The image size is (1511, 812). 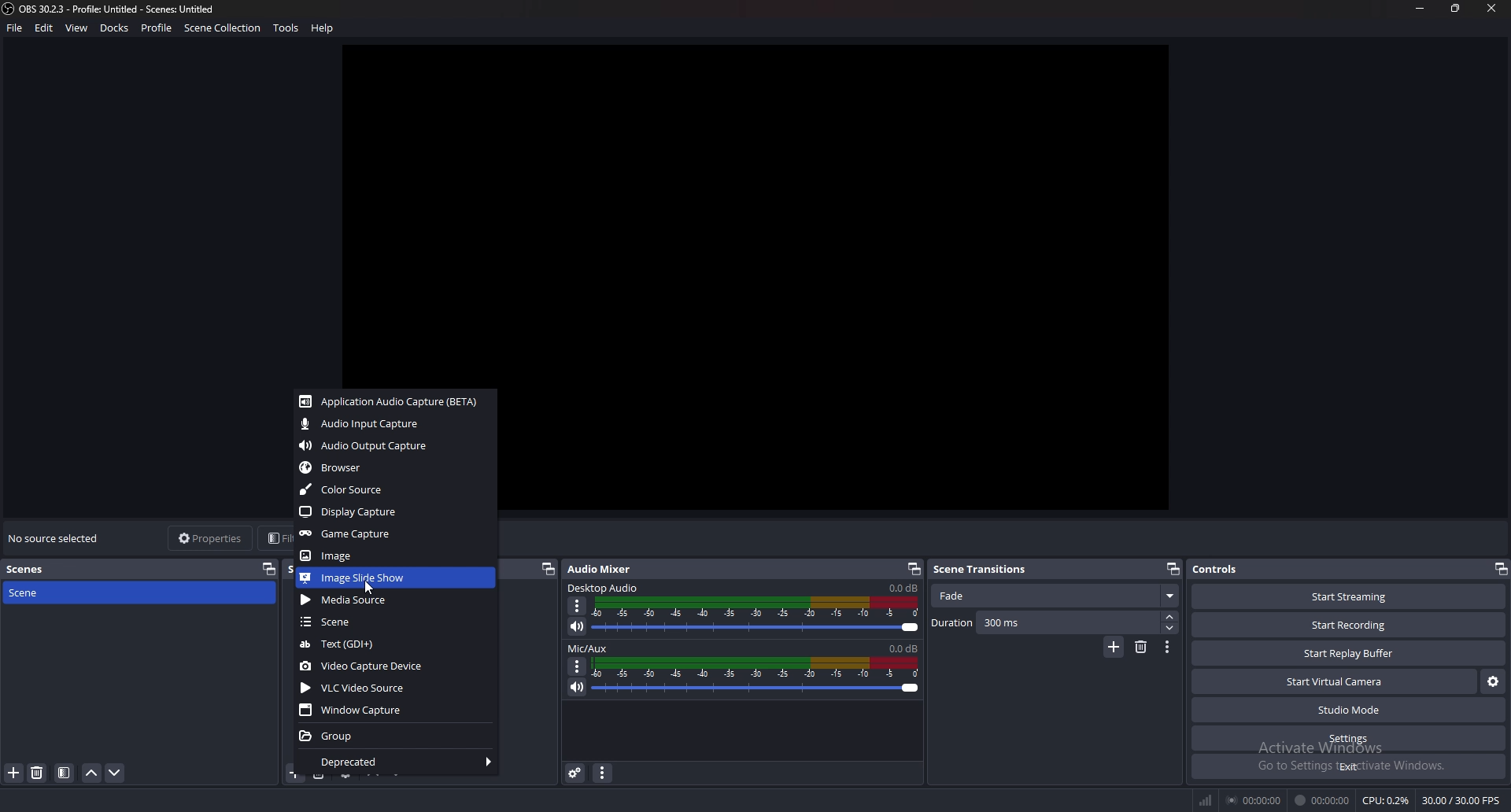 What do you see at coordinates (1112, 648) in the screenshot?
I see `add transition` at bounding box center [1112, 648].